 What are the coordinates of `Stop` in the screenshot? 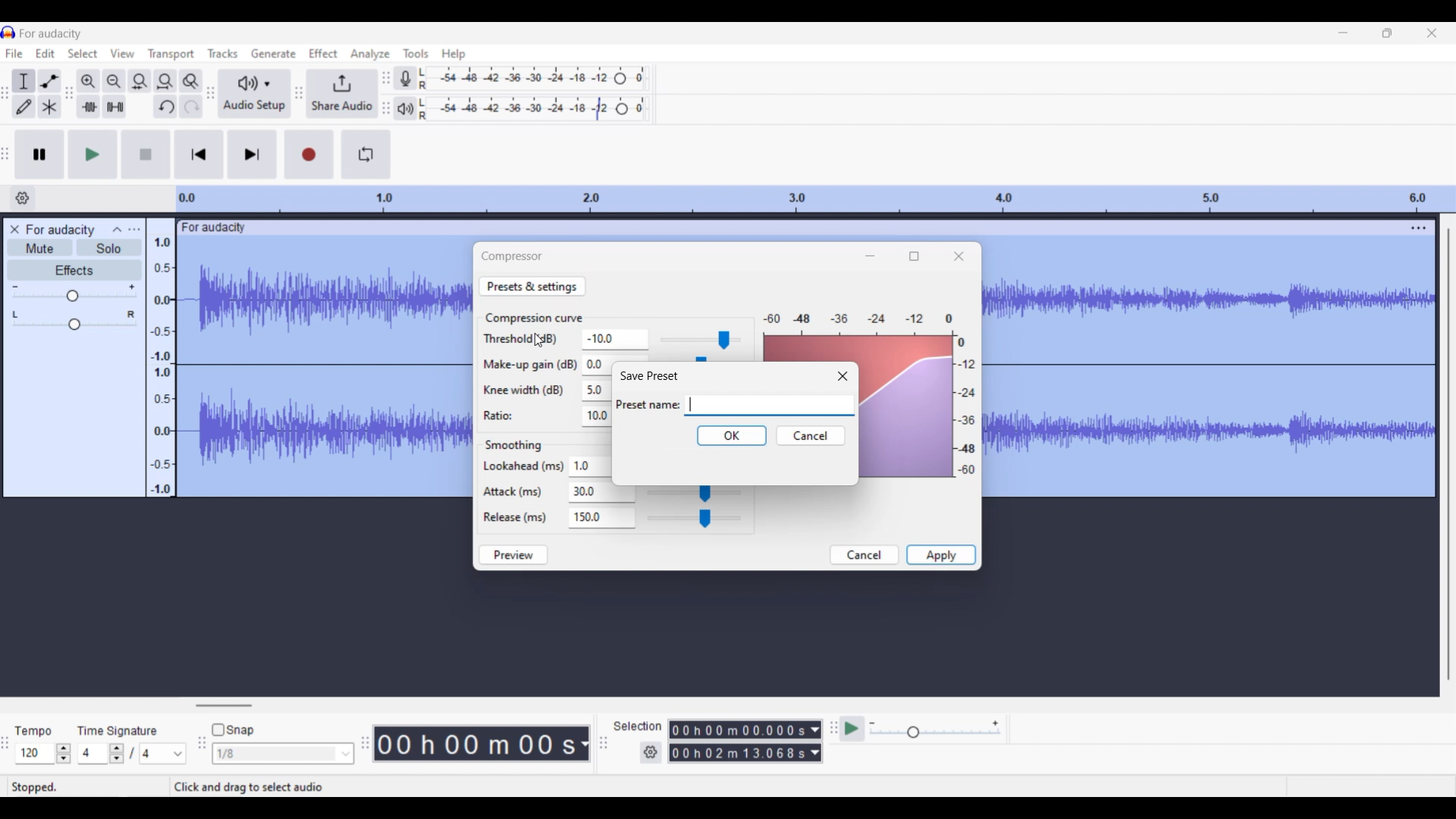 It's located at (146, 154).